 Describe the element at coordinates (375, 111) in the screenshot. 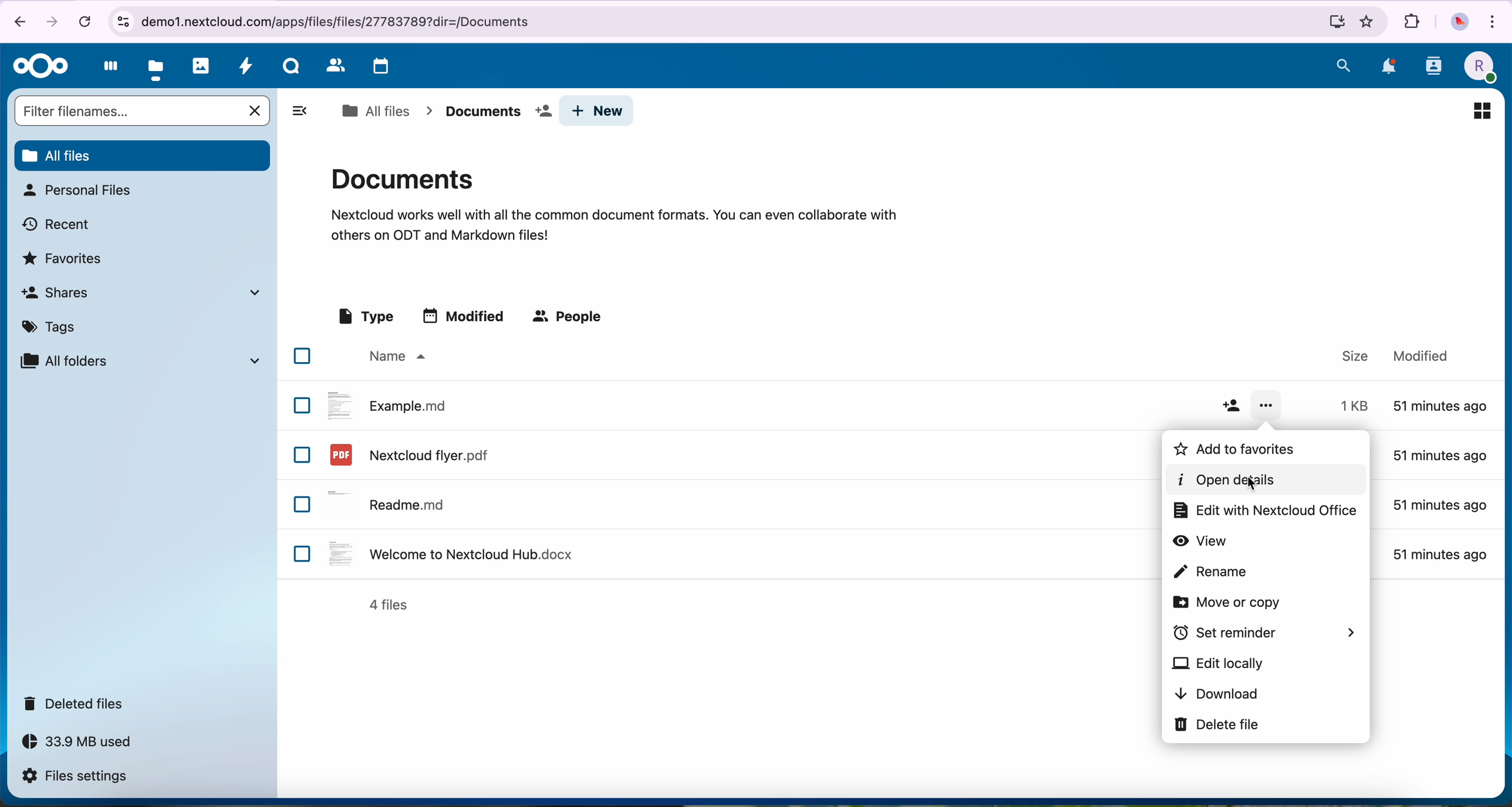

I see `all files` at that location.